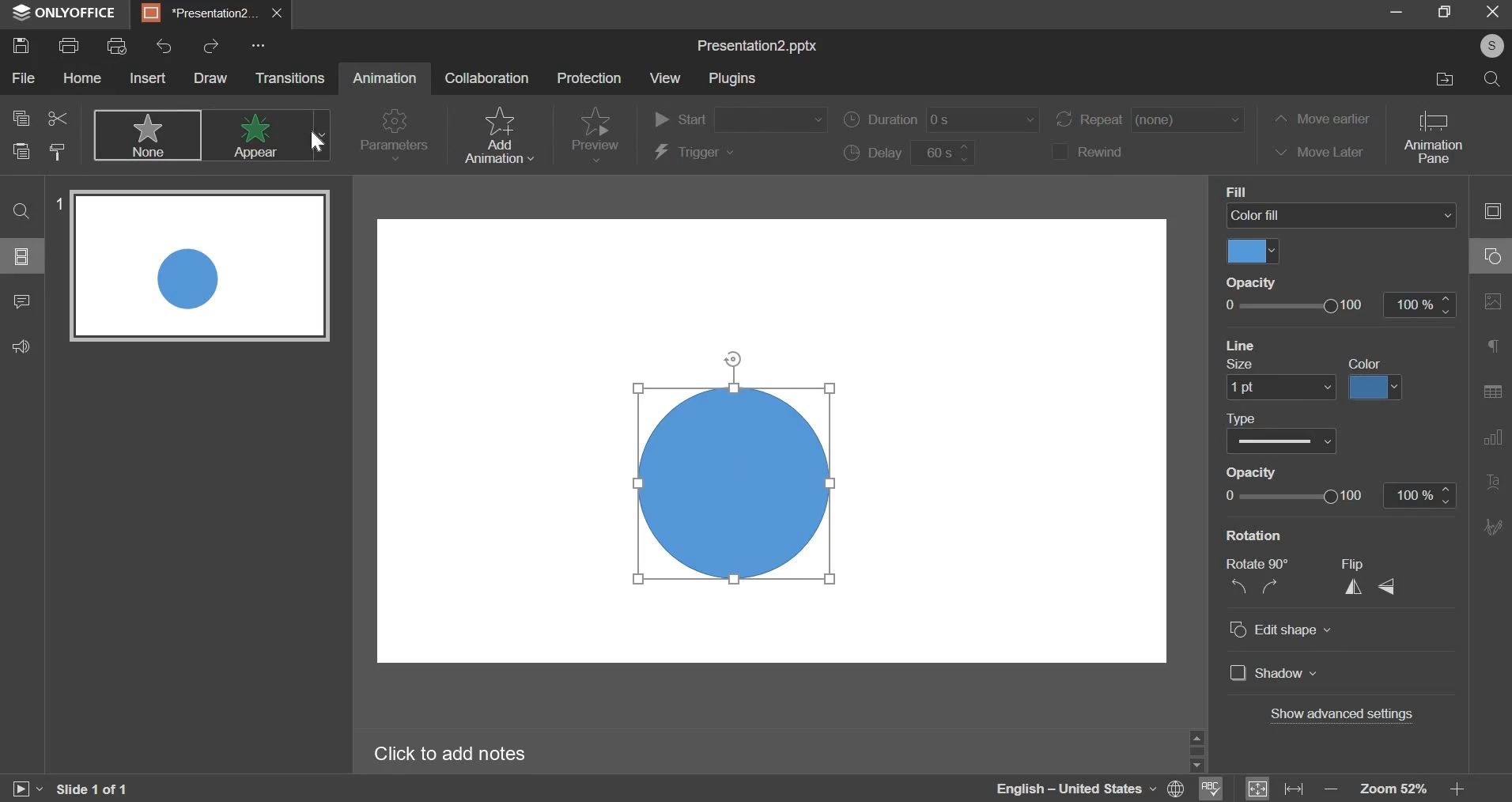 The height and width of the screenshot is (802, 1512). What do you see at coordinates (213, 47) in the screenshot?
I see `redo` at bounding box center [213, 47].